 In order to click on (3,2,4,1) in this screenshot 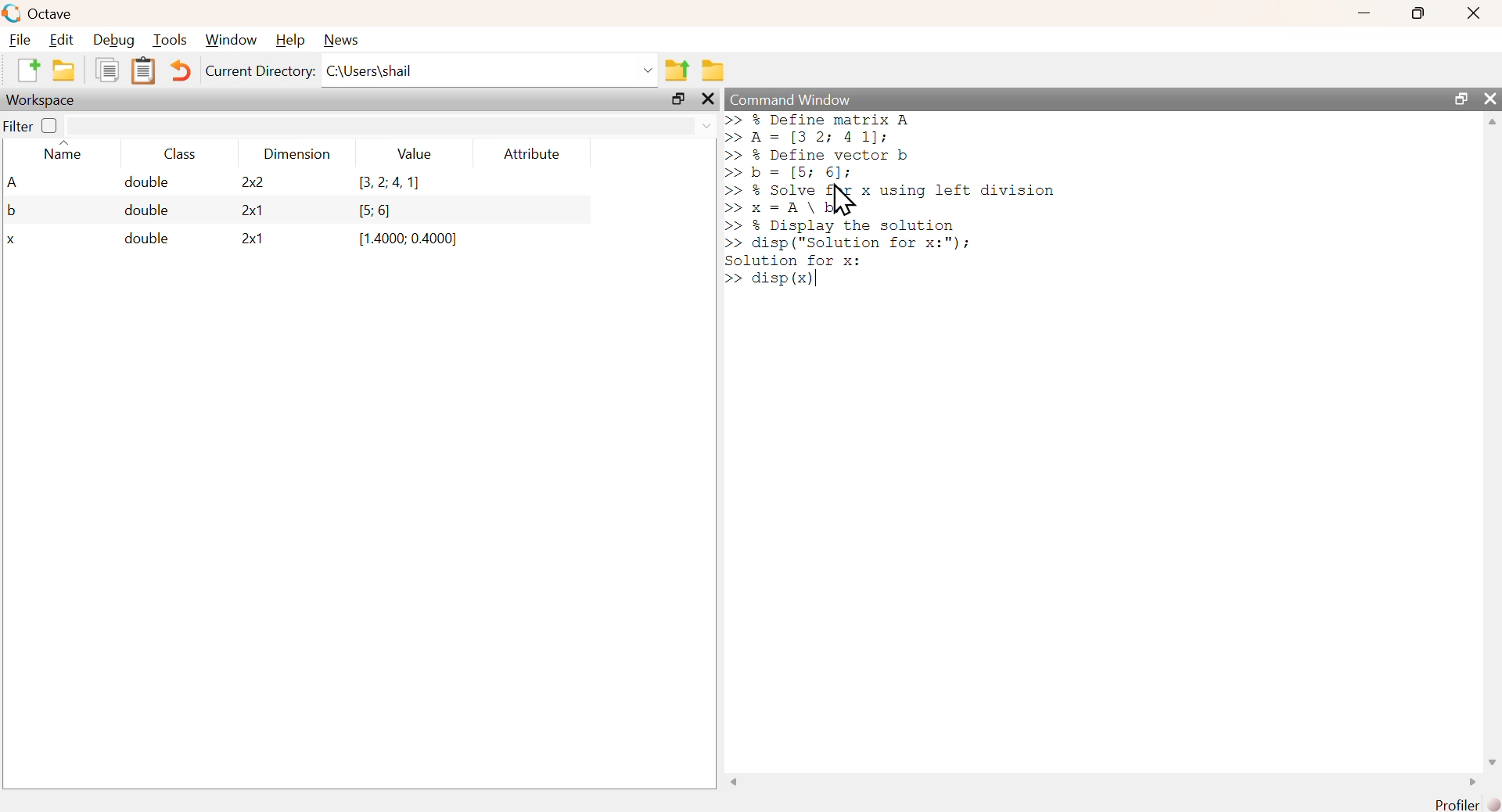, I will do `click(383, 184)`.